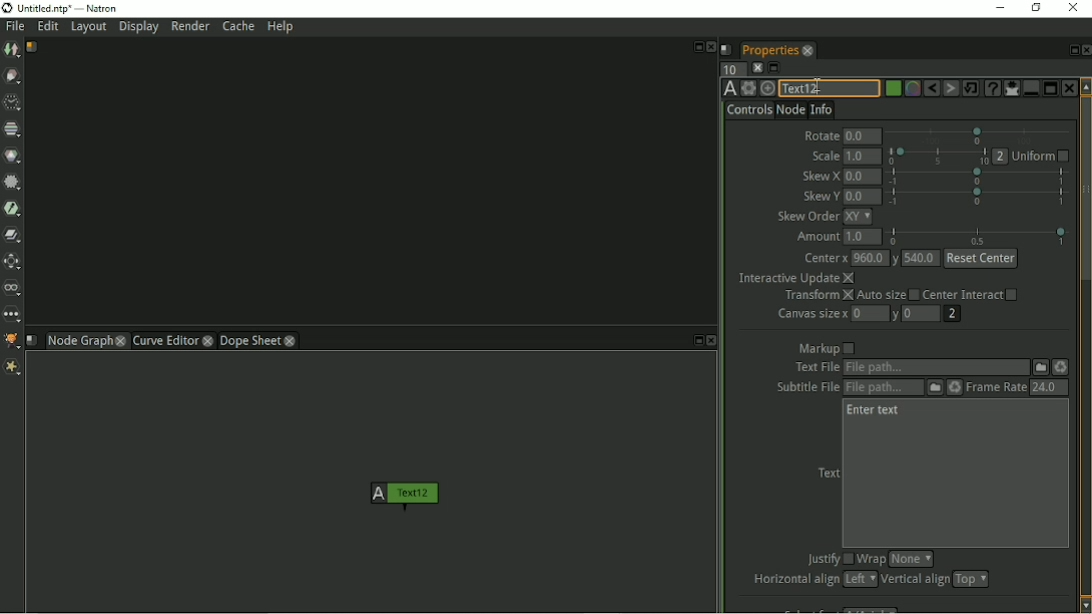 The image size is (1092, 614). I want to click on Center, so click(825, 259).